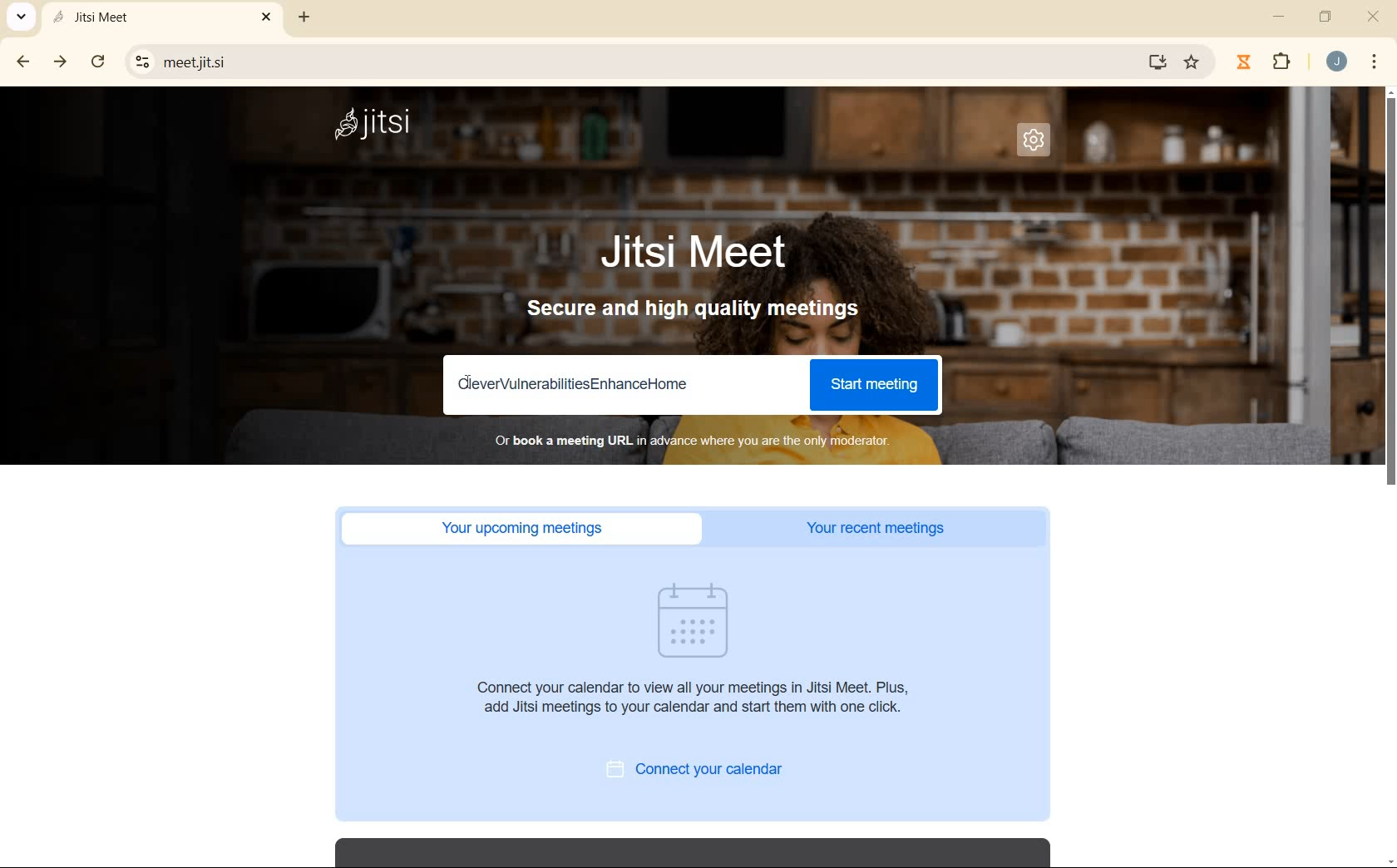 Image resolution: width=1397 pixels, height=868 pixels. Describe the element at coordinates (884, 529) in the screenshot. I see `Your recent meetings` at that location.